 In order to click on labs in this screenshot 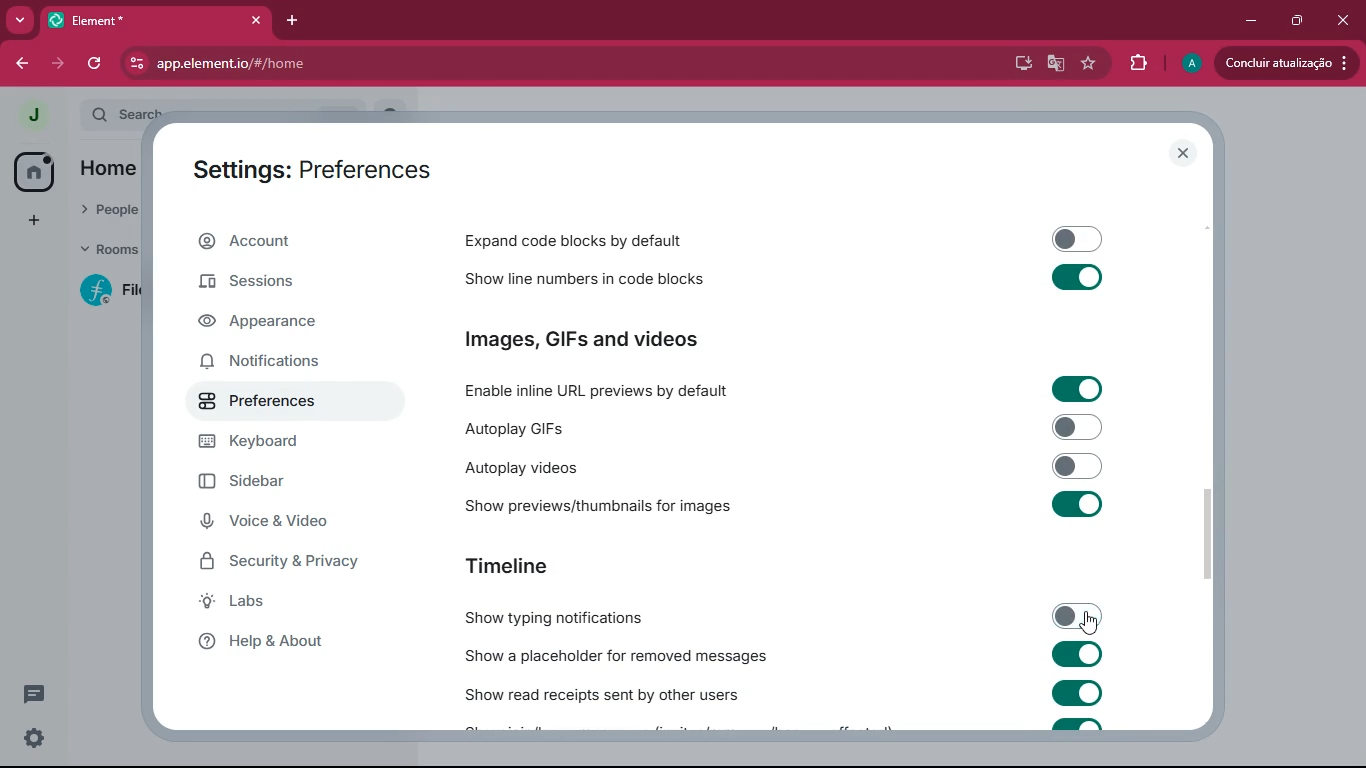, I will do `click(270, 603)`.